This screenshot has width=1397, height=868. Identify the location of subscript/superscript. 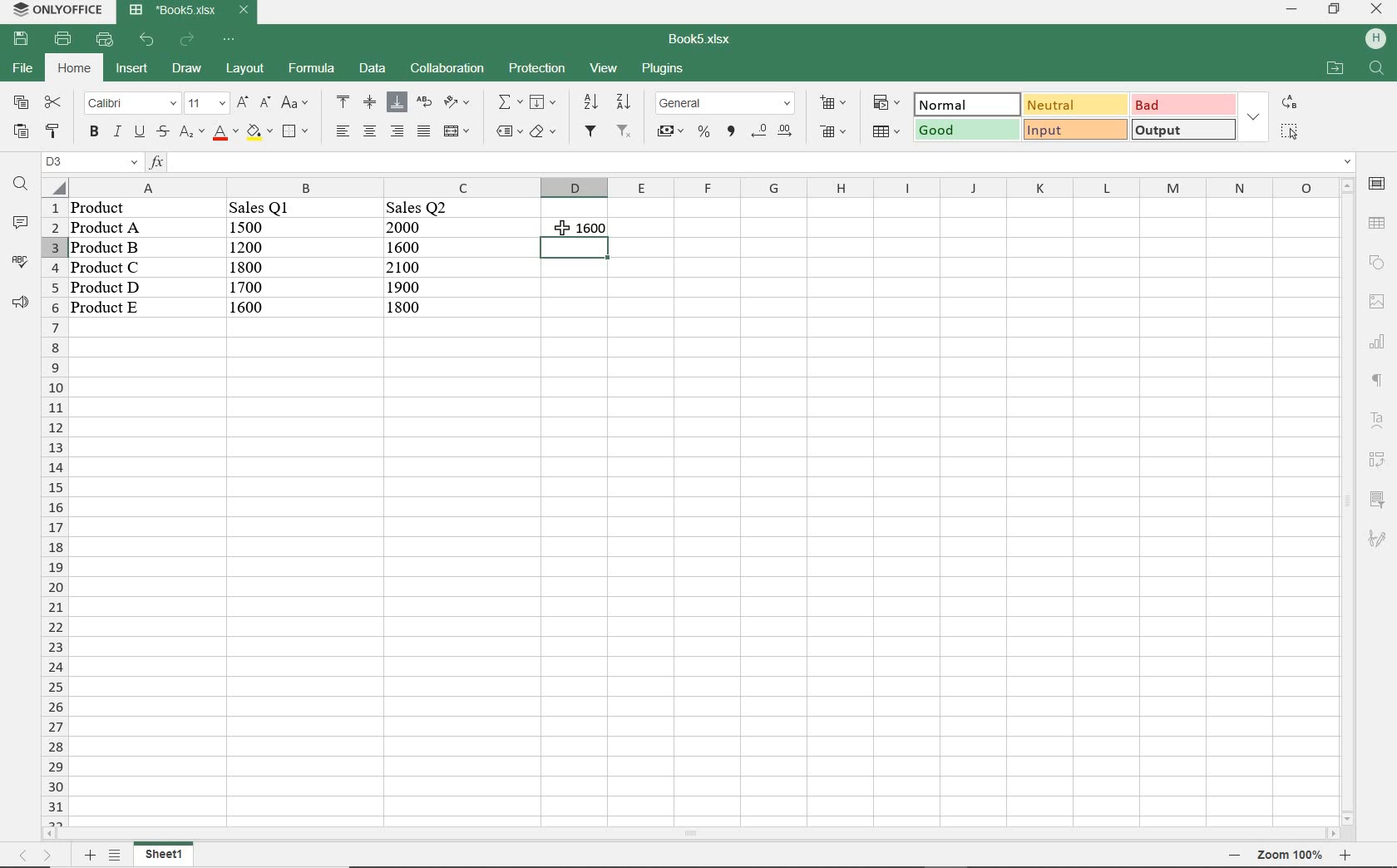
(190, 133).